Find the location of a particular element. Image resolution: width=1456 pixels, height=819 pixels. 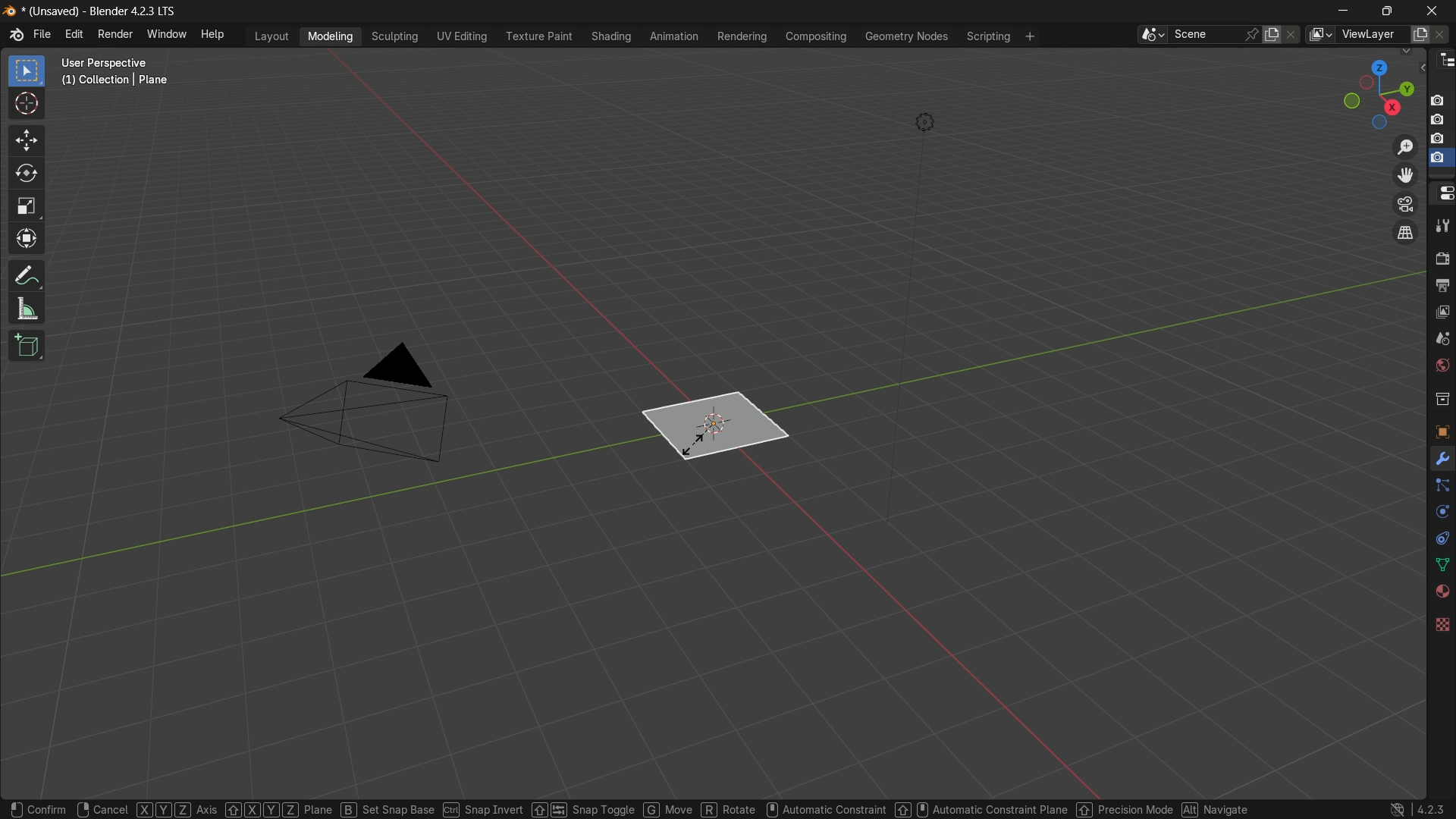

capture is located at coordinates (1439, 138).